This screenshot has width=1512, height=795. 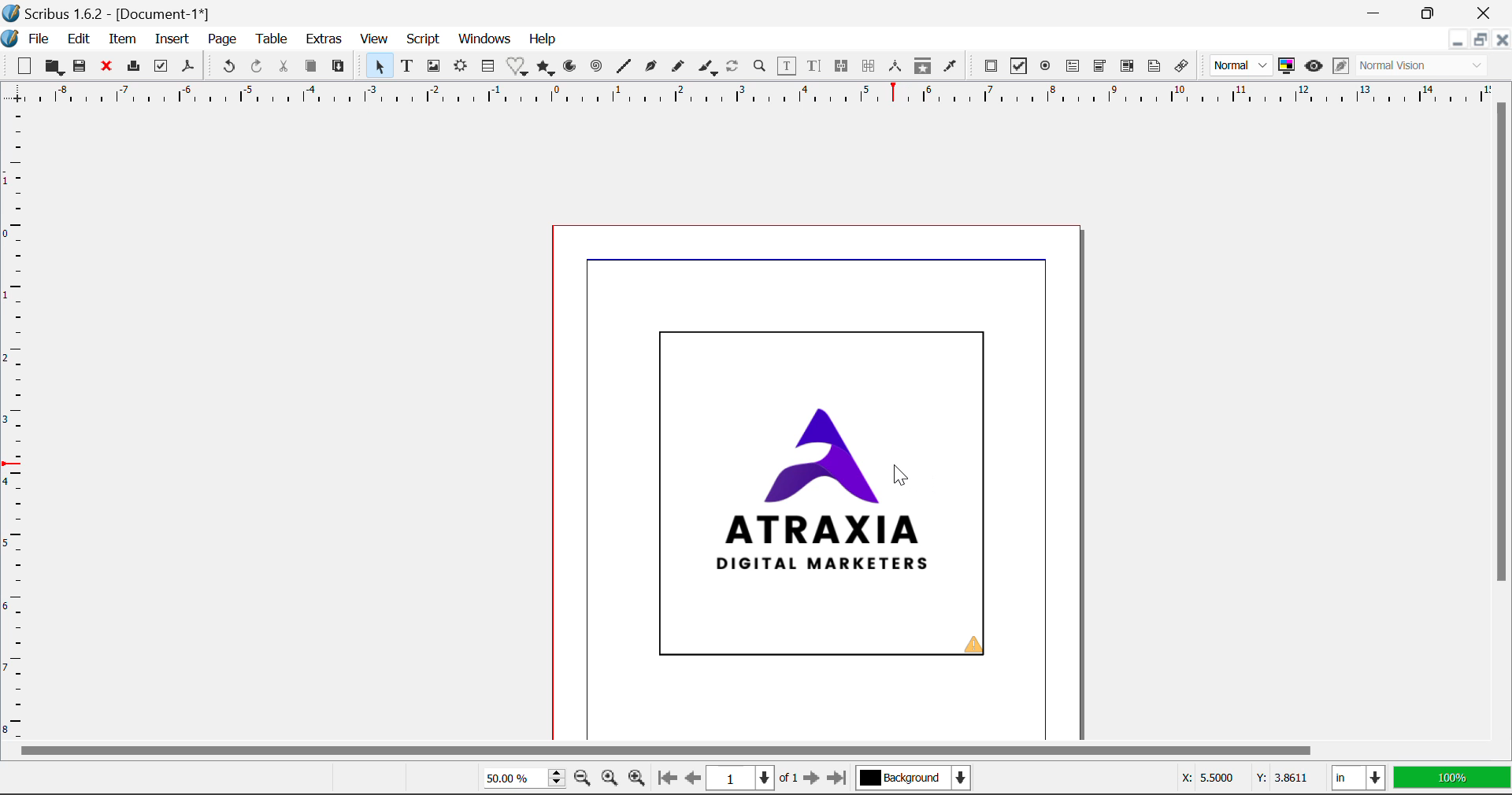 What do you see at coordinates (842, 68) in the screenshot?
I see `Link Text Frames` at bounding box center [842, 68].